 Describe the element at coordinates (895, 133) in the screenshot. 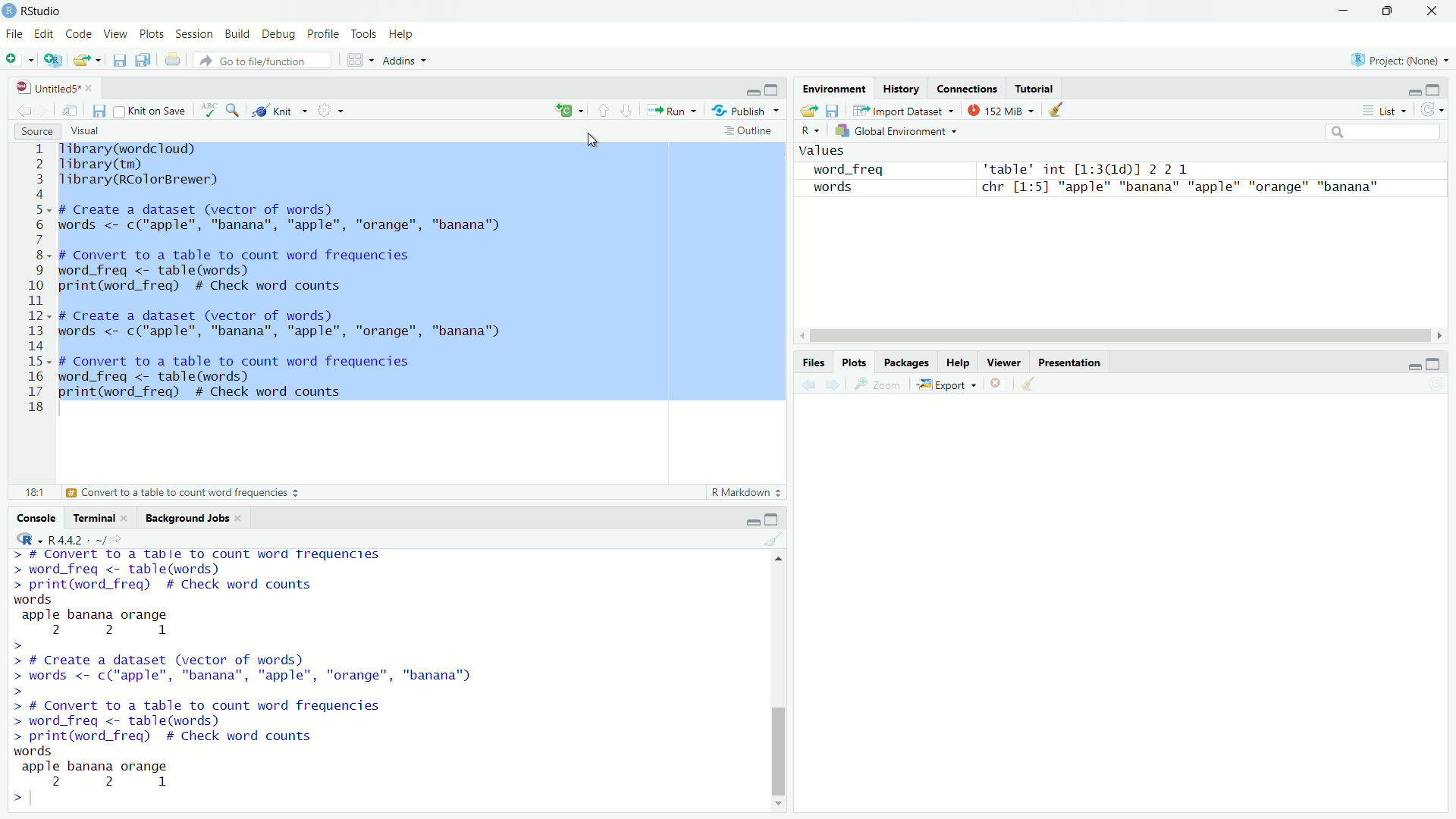

I see `Global Environment` at that location.